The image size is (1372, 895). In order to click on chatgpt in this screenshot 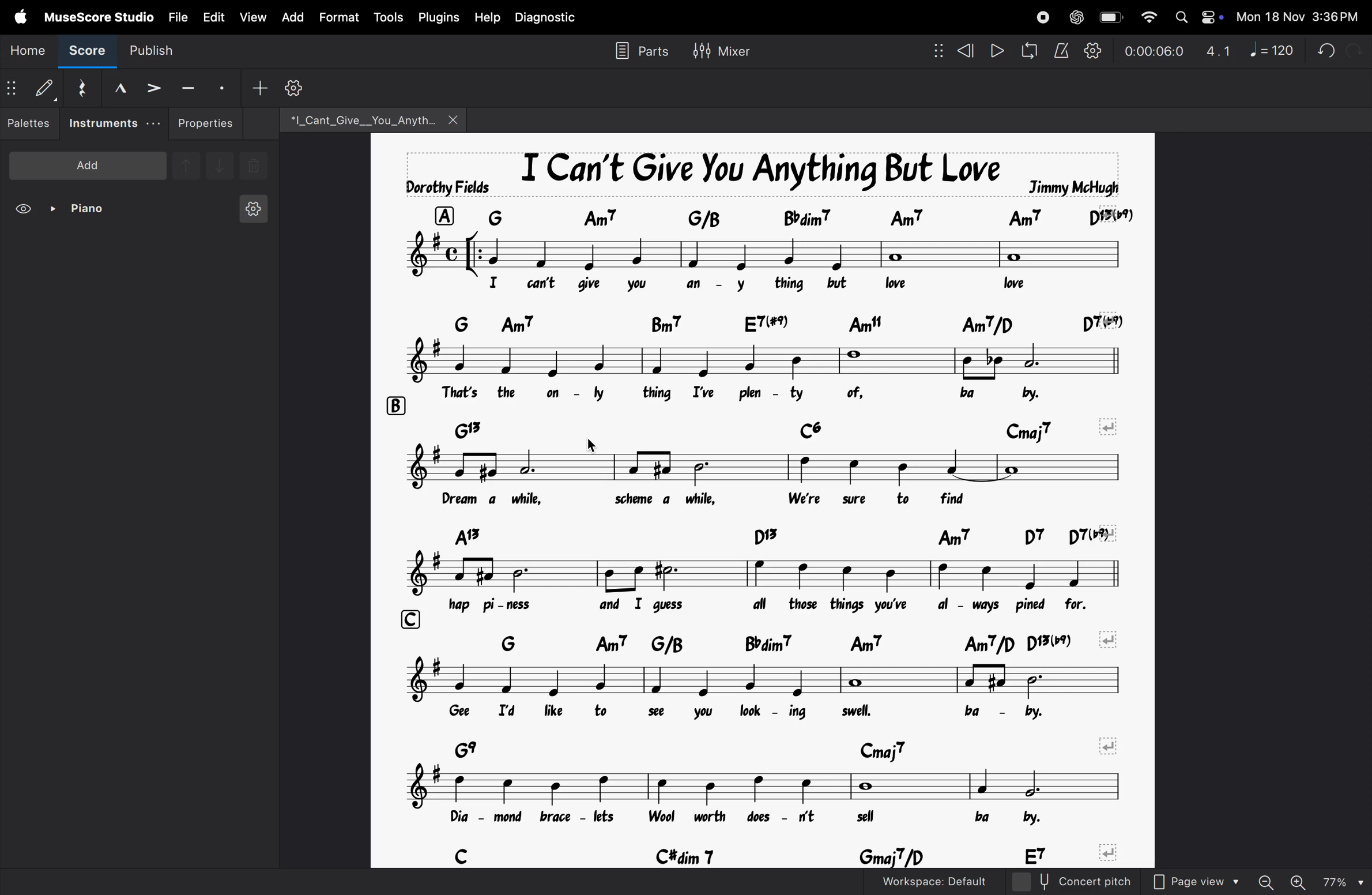, I will do `click(1075, 18)`.